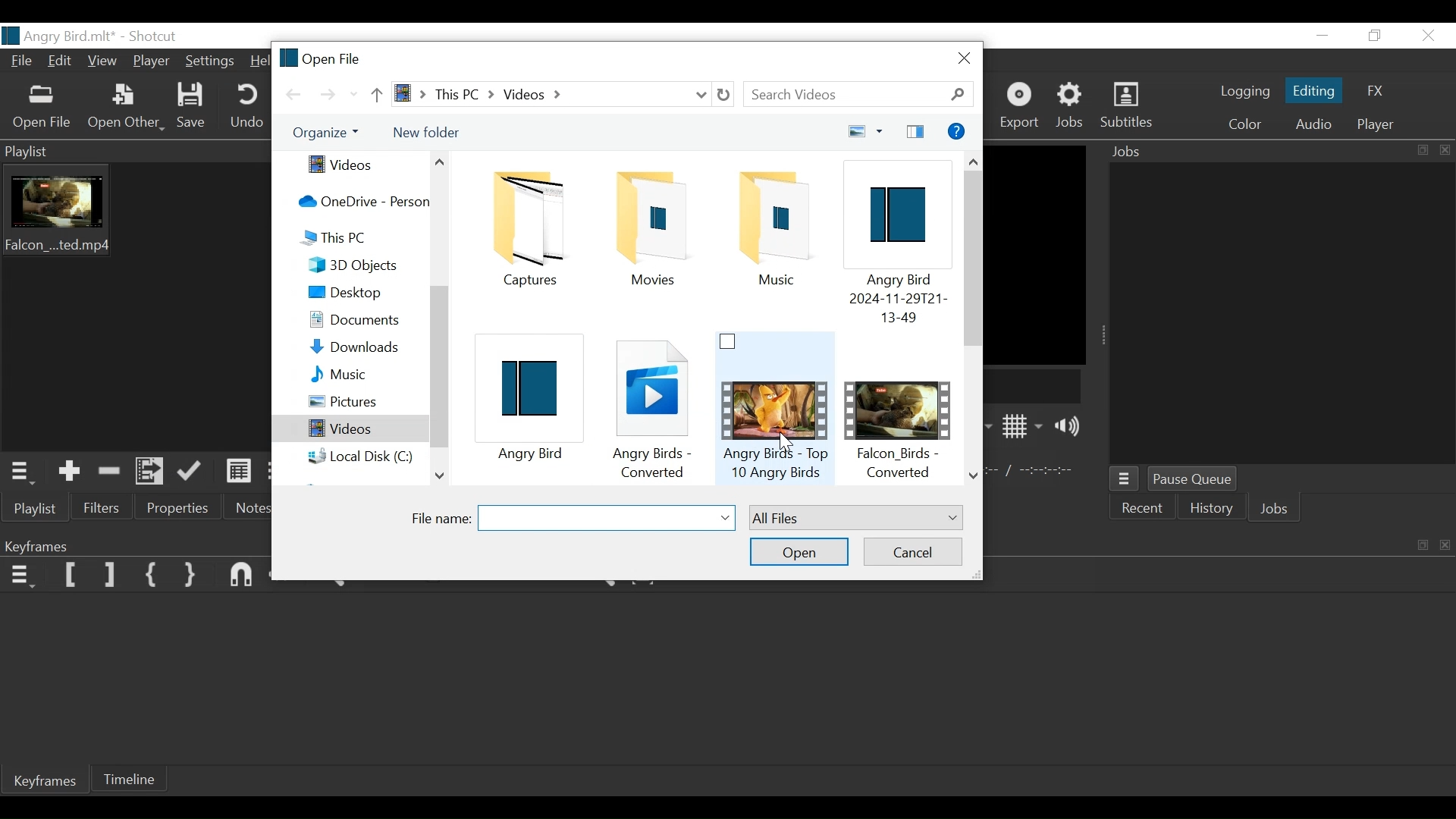 The width and height of the screenshot is (1456, 819). What do you see at coordinates (359, 293) in the screenshot?
I see `Desktop` at bounding box center [359, 293].